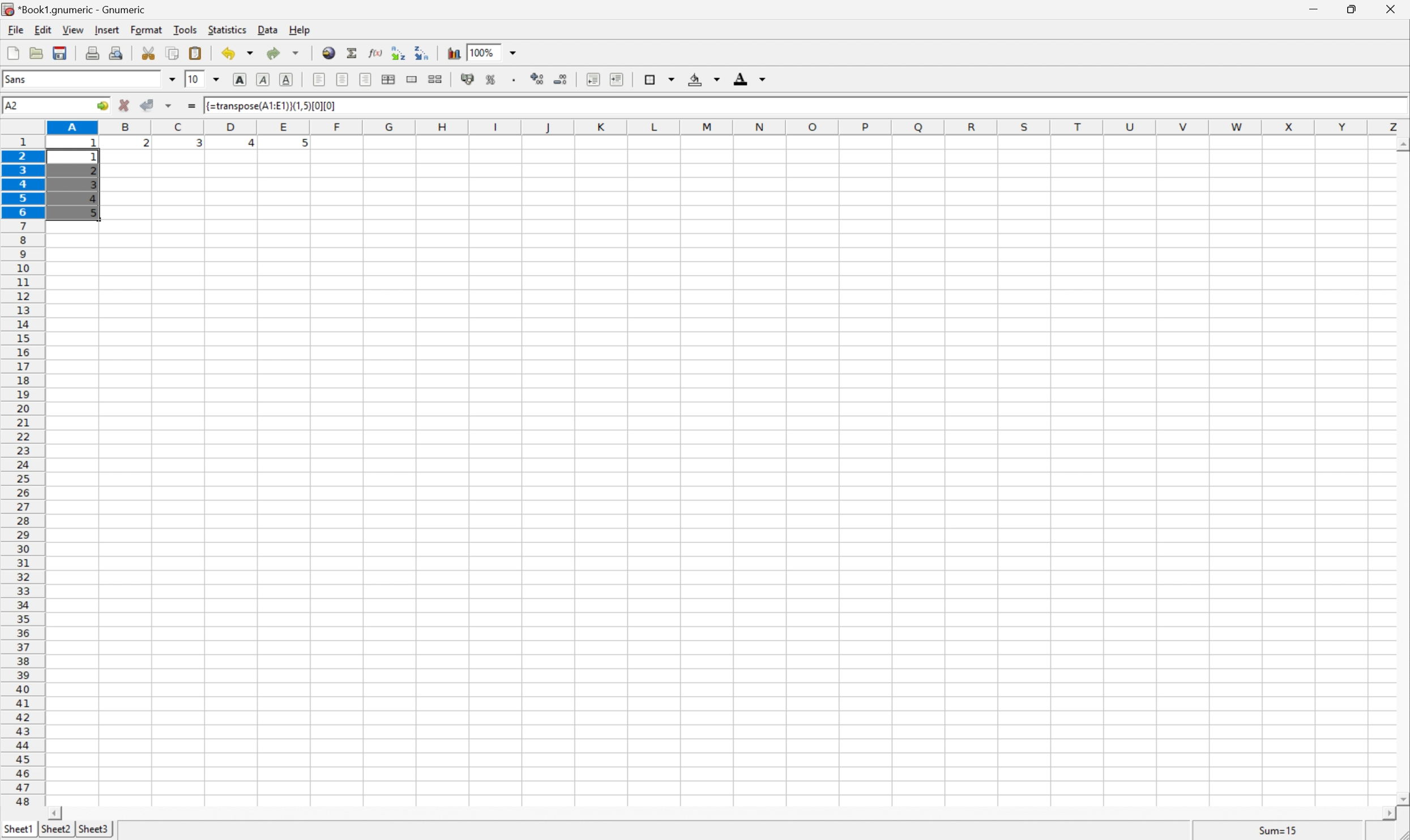  Describe the element at coordinates (288, 79) in the screenshot. I see `underline` at that location.